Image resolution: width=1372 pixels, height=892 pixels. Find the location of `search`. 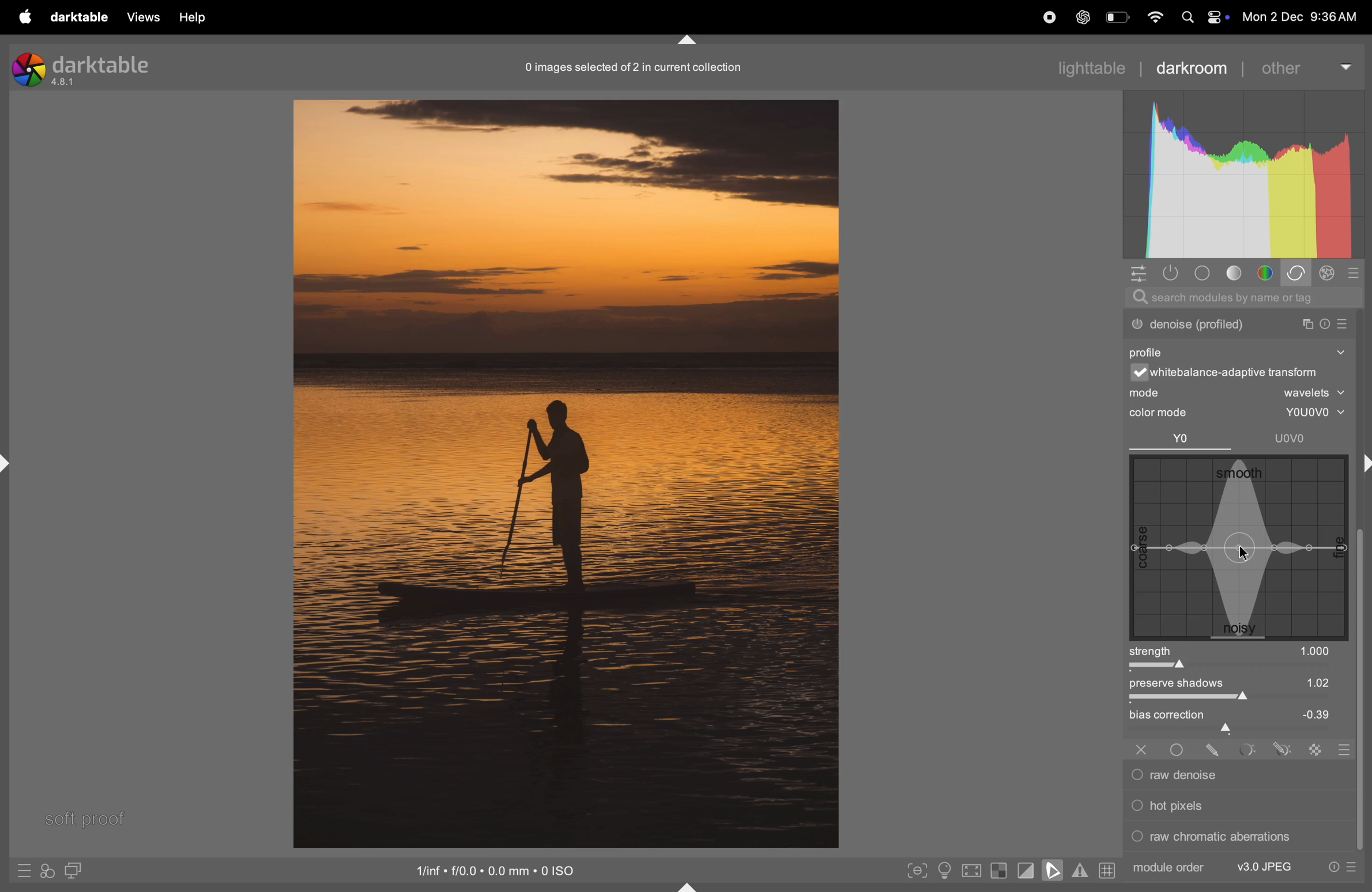

search is located at coordinates (1245, 298).